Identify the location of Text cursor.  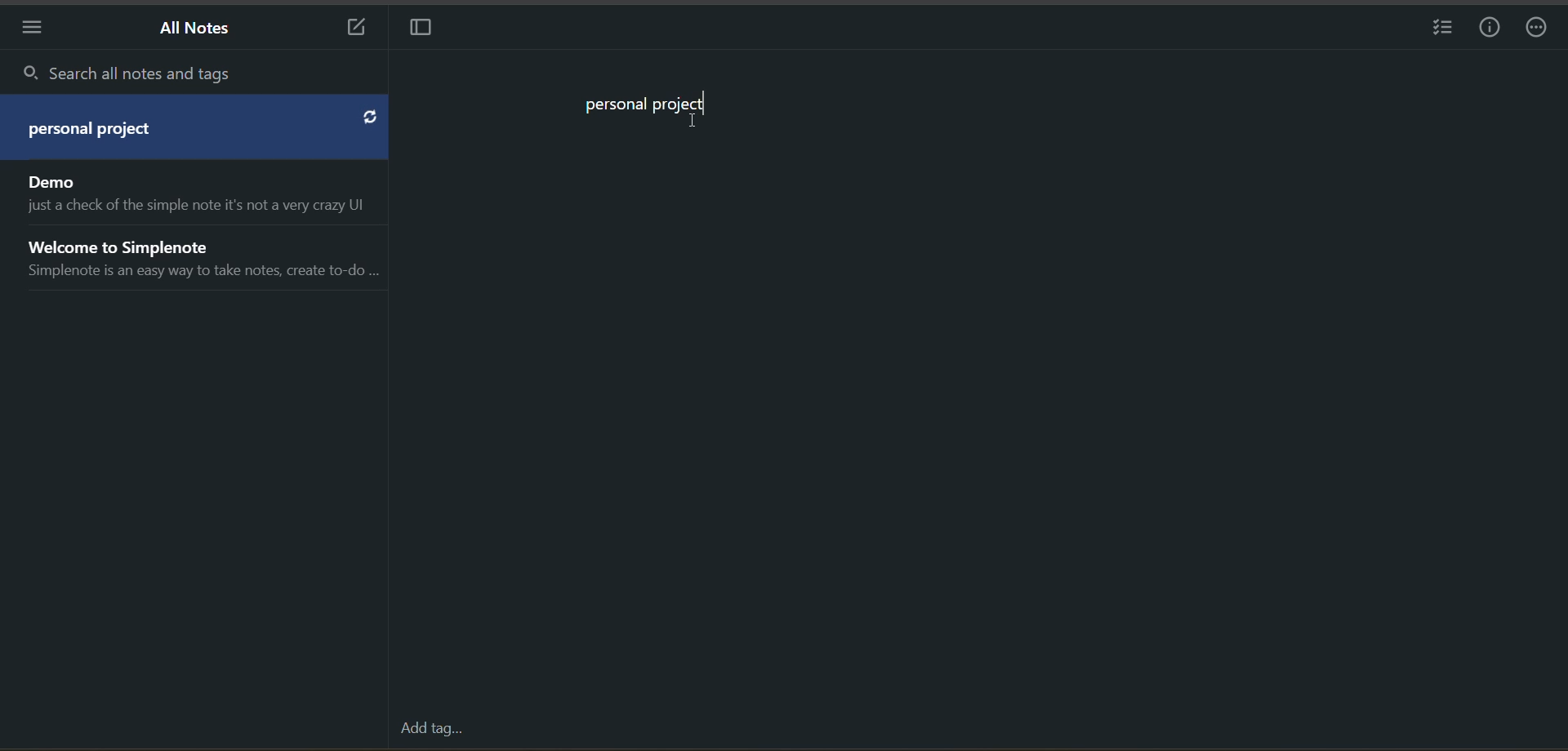
(691, 122).